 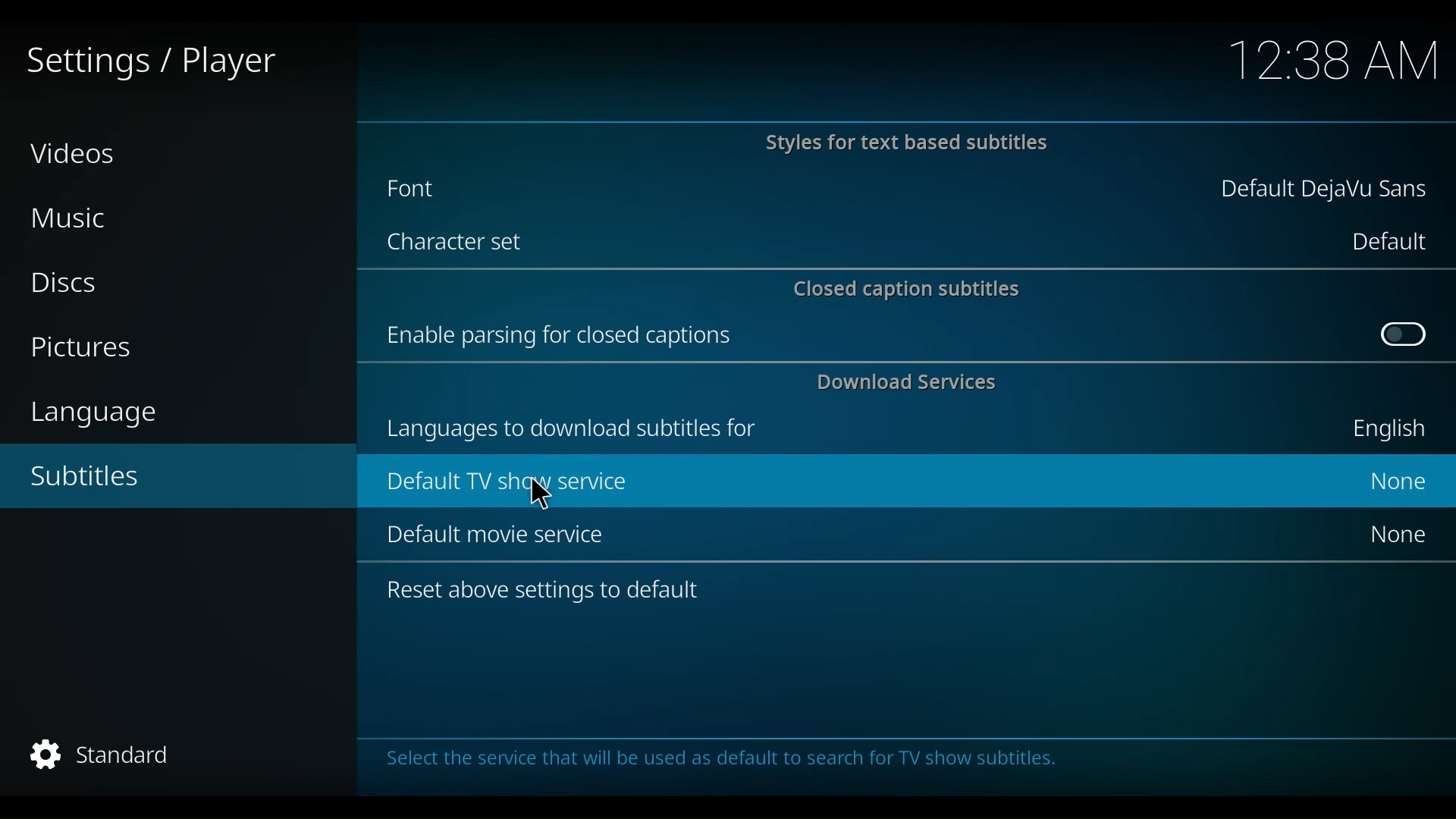 I want to click on Character set, so click(x=460, y=244).